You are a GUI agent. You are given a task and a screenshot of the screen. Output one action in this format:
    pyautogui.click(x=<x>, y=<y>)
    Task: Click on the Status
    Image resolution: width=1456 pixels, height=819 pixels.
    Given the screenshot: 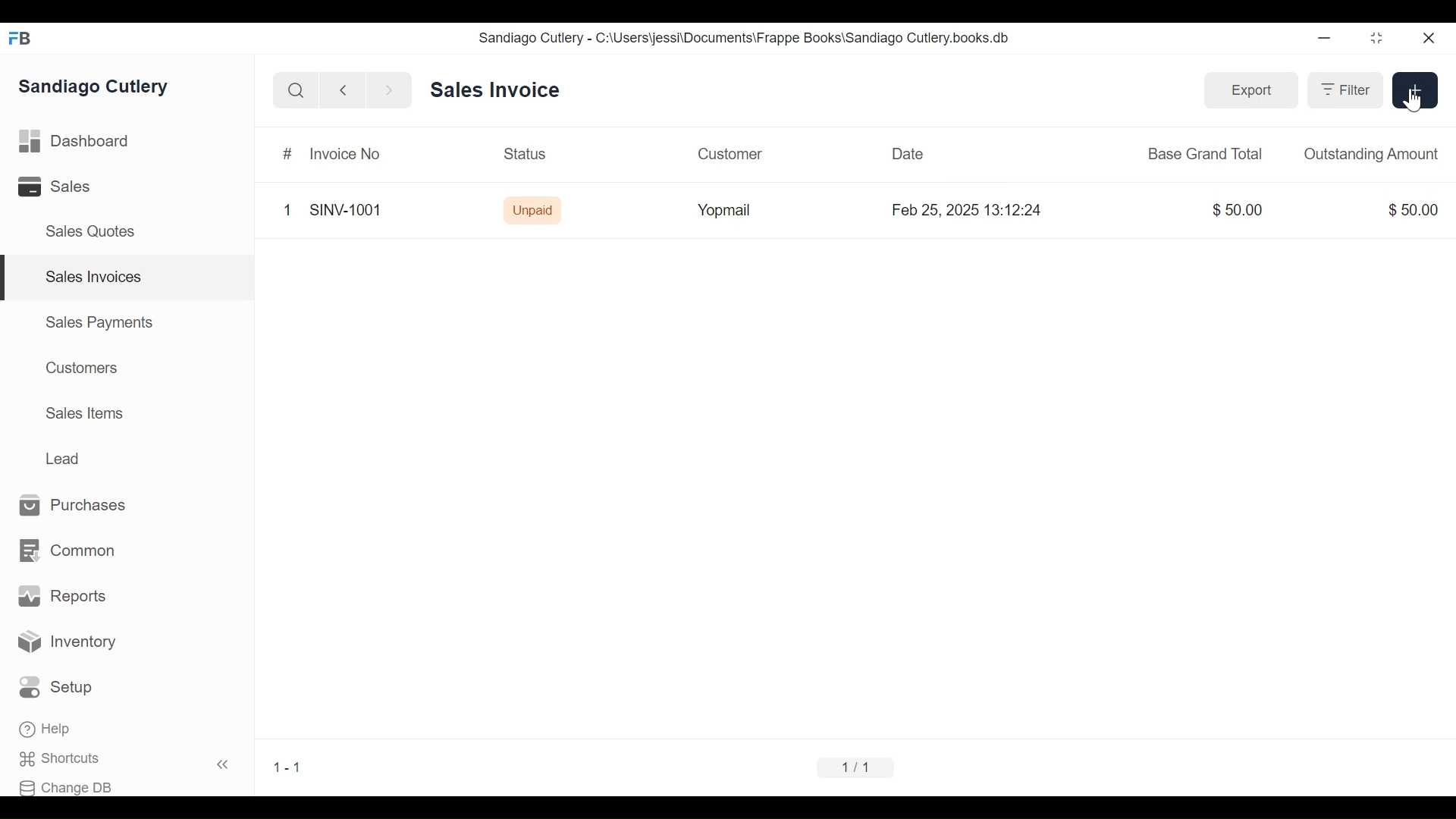 What is the action you would take?
    pyautogui.click(x=525, y=155)
    